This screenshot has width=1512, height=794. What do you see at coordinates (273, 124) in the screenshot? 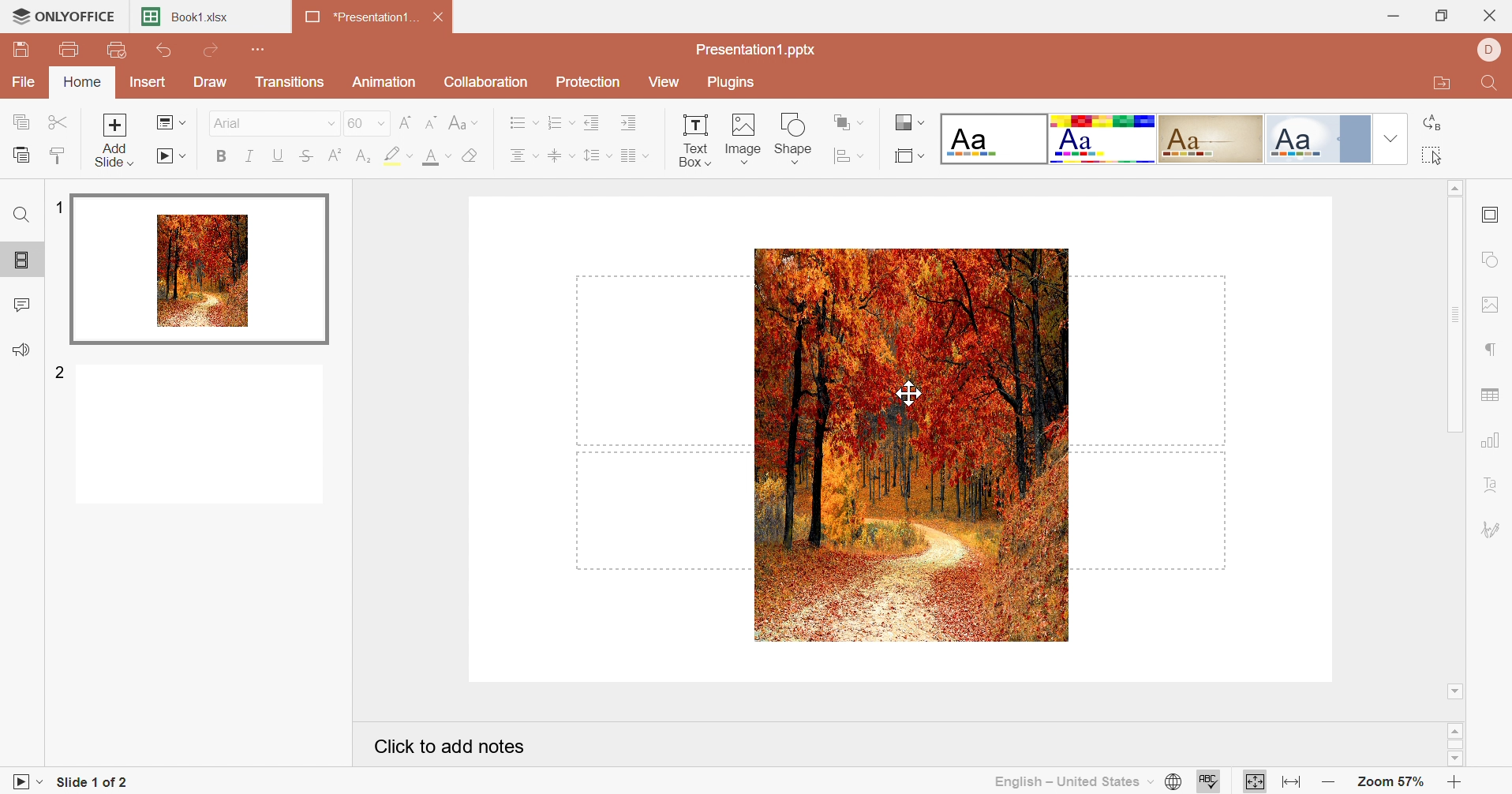
I see `Arial` at bounding box center [273, 124].